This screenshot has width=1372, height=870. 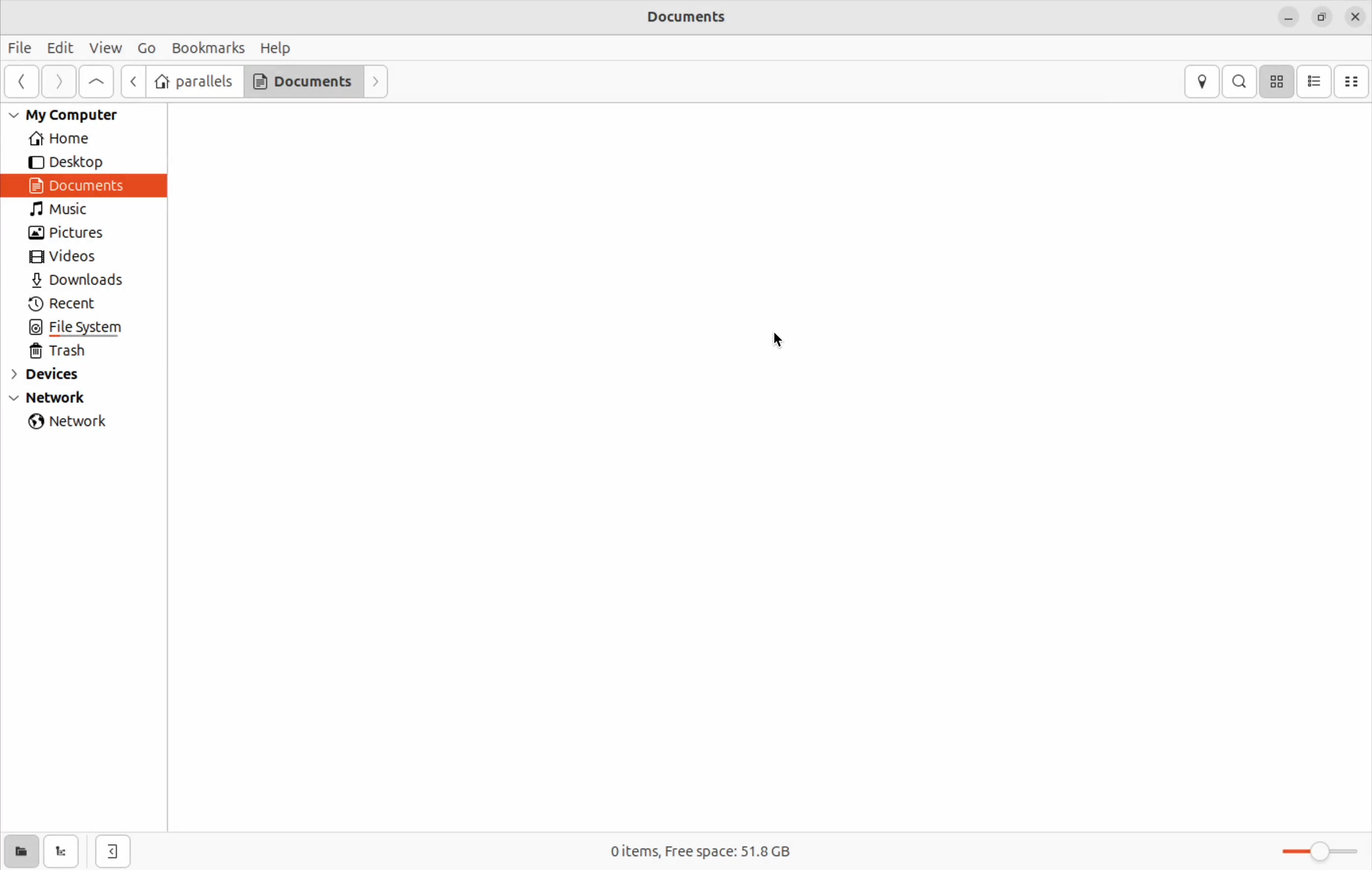 I want to click on file system, so click(x=86, y=328).